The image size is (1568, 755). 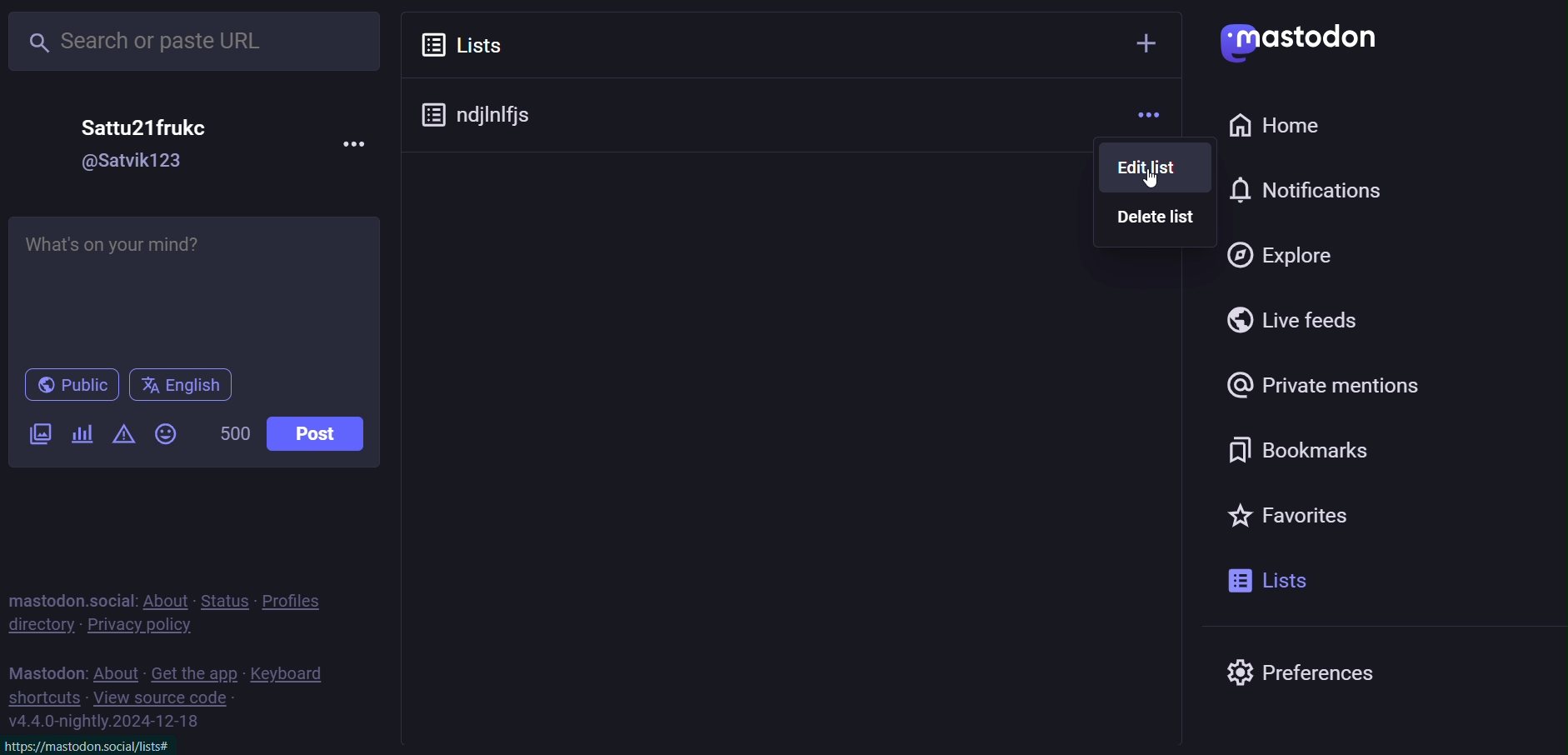 What do you see at coordinates (180, 386) in the screenshot?
I see `english` at bounding box center [180, 386].